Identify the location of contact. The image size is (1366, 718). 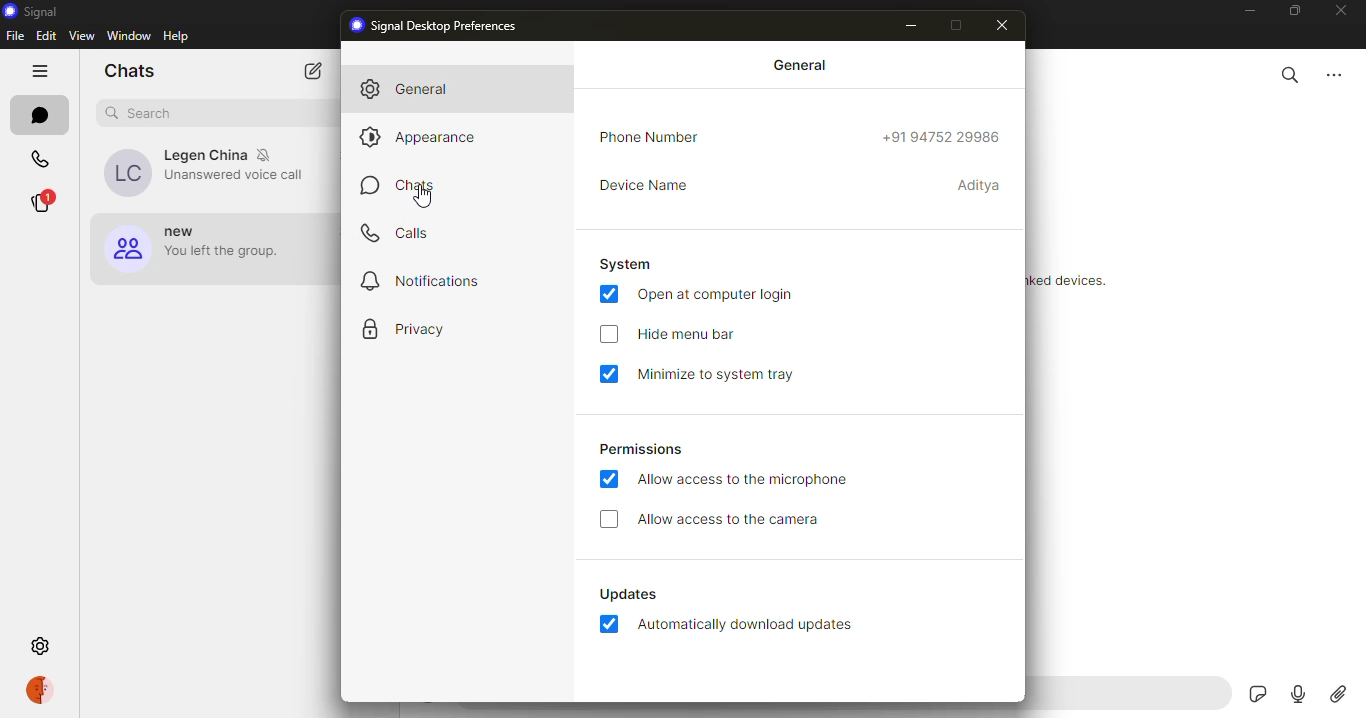
(208, 175).